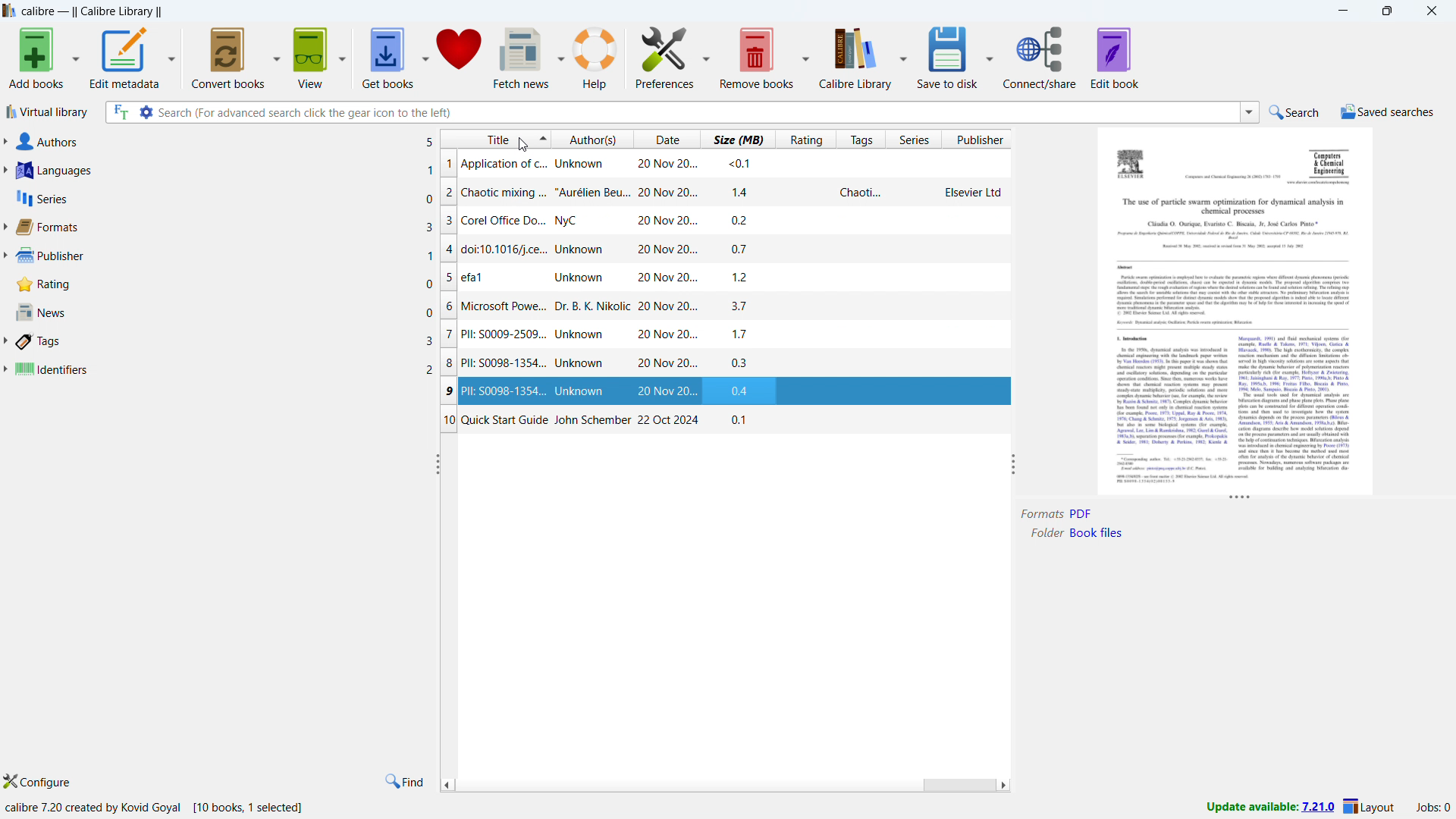 This screenshot has width=1456, height=819. Describe the element at coordinates (1136, 163) in the screenshot. I see `` at that location.